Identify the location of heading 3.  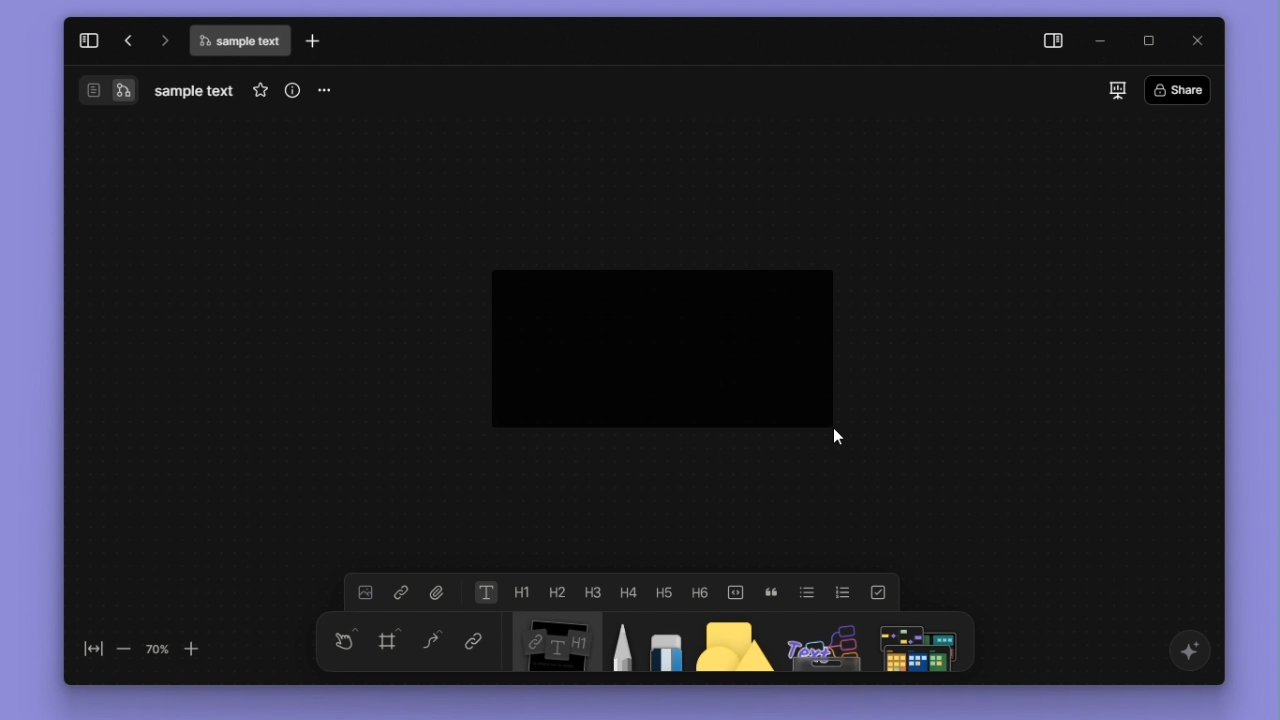
(592, 590).